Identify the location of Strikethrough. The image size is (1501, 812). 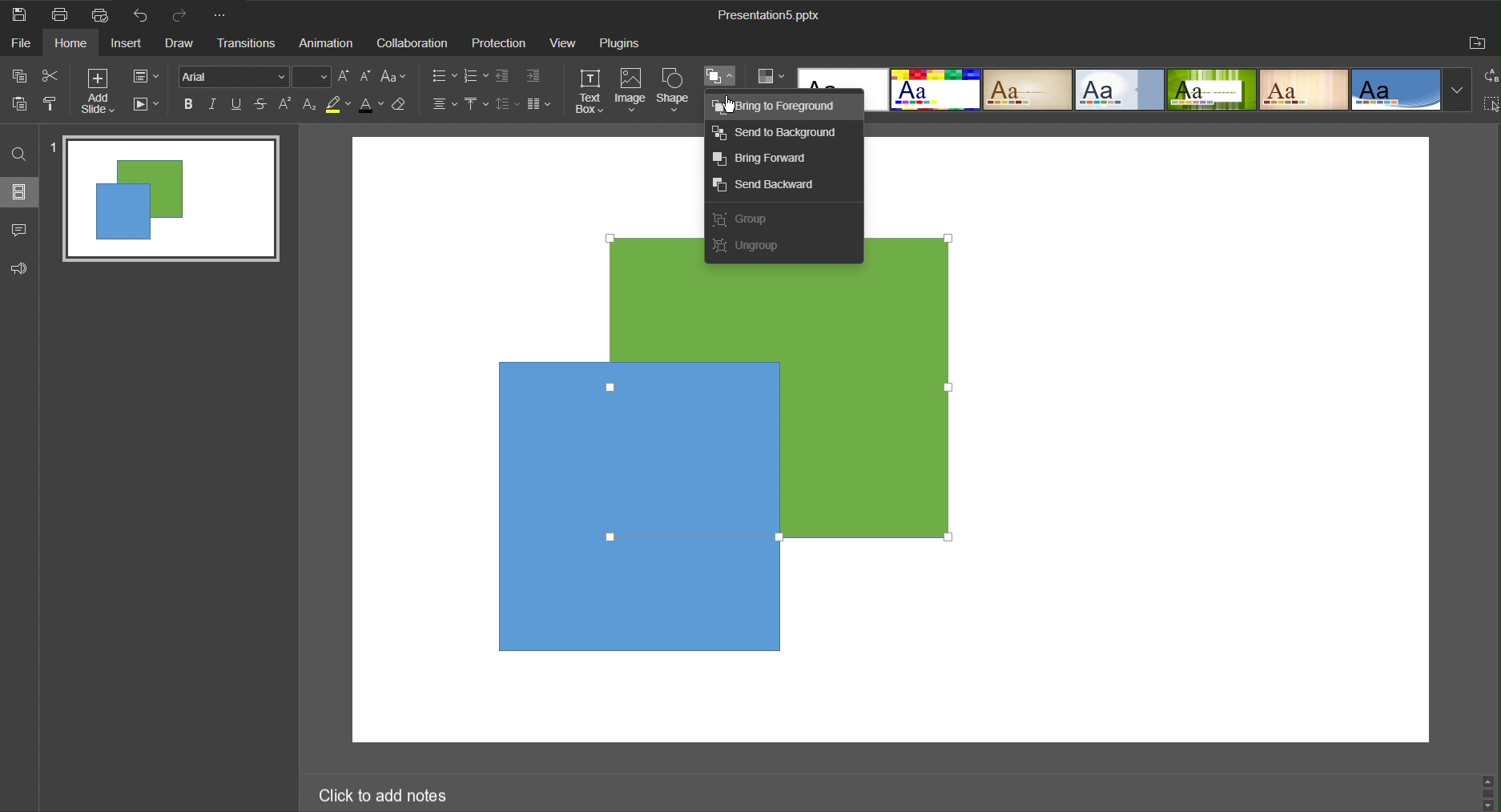
(260, 104).